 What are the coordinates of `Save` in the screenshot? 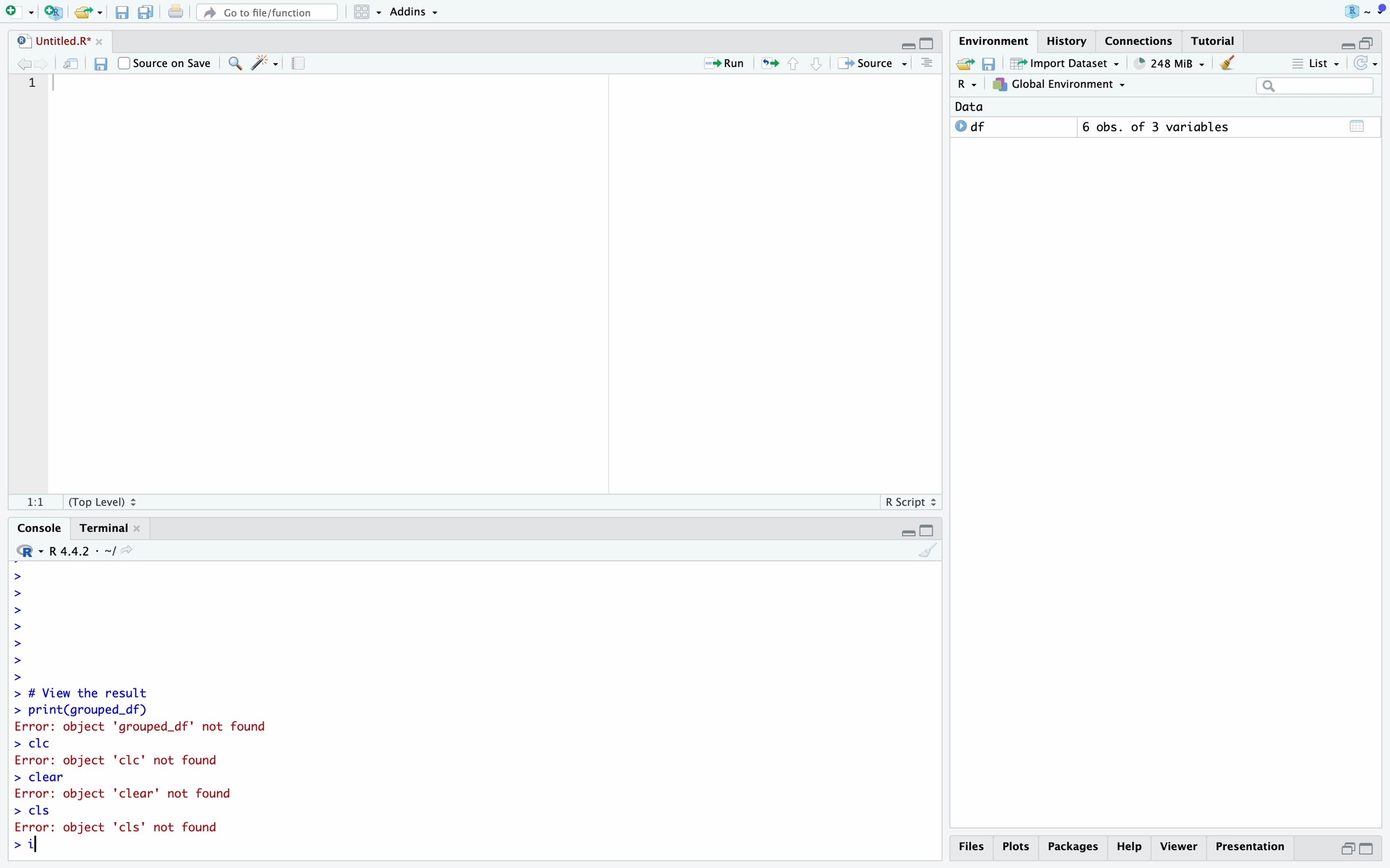 It's located at (993, 63).